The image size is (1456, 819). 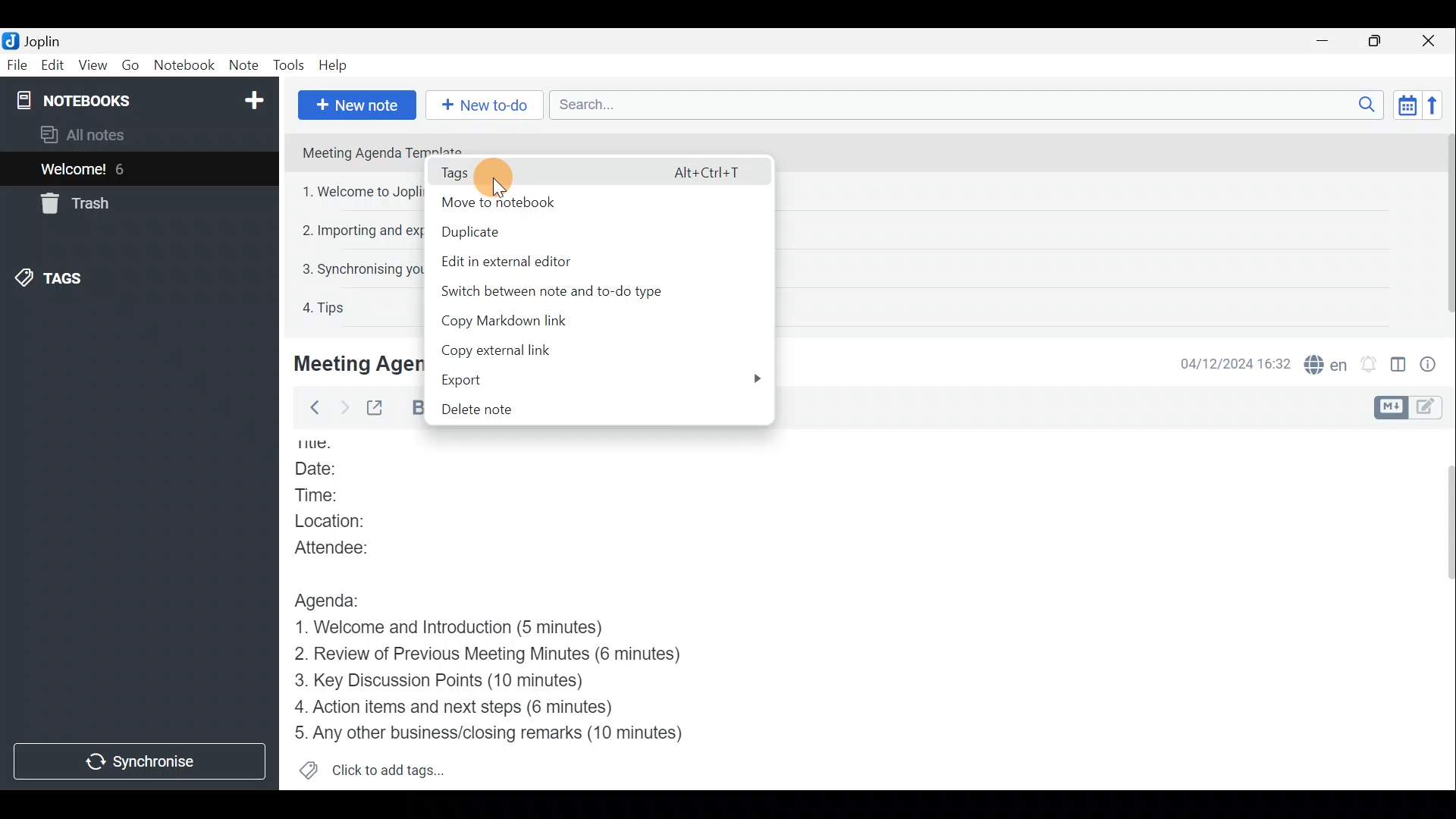 What do you see at coordinates (580, 201) in the screenshot?
I see `Move to notebook` at bounding box center [580, 201].